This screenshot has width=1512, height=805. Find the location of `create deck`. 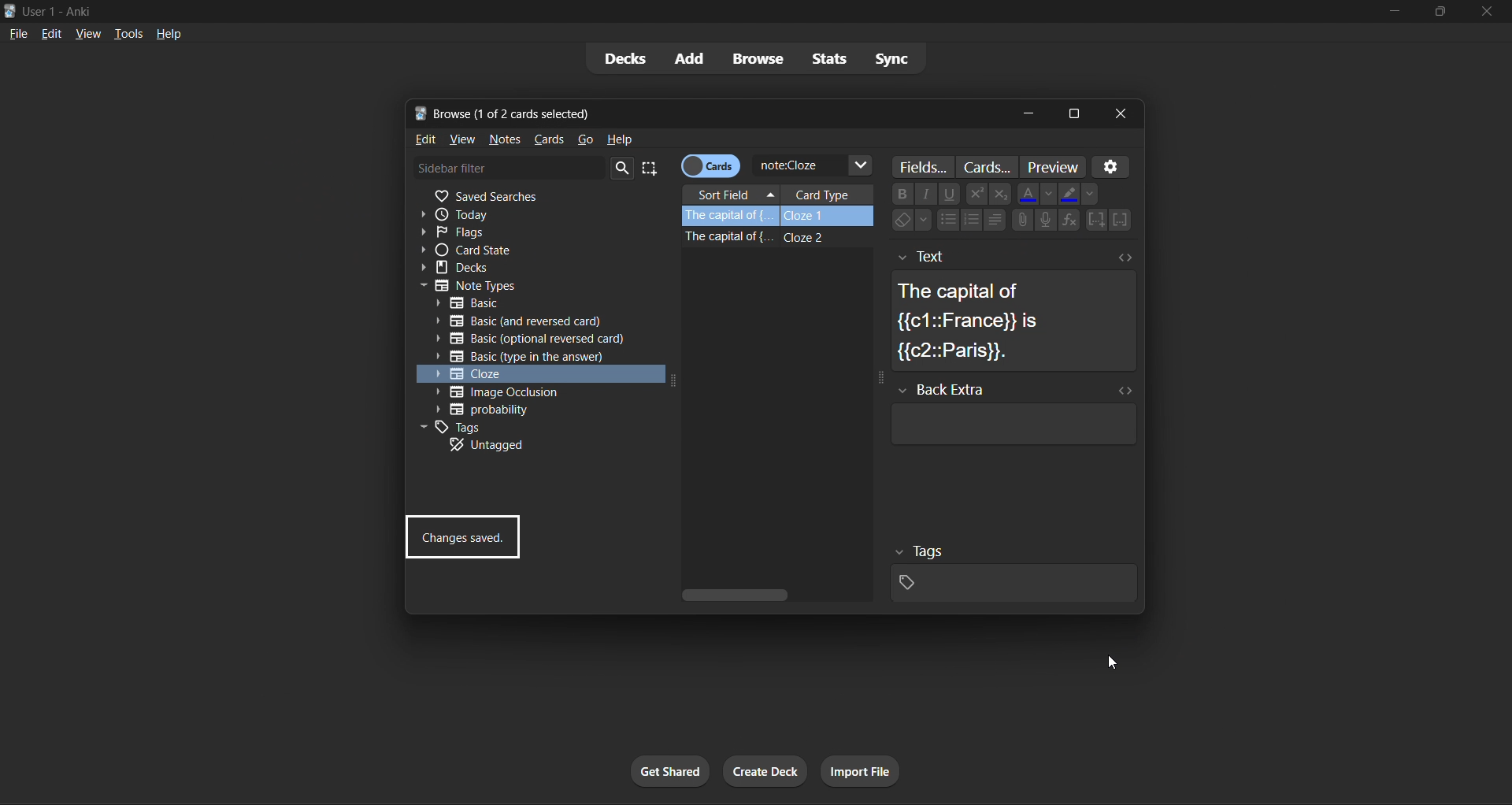

create deck is located at coordinates (766, 772).